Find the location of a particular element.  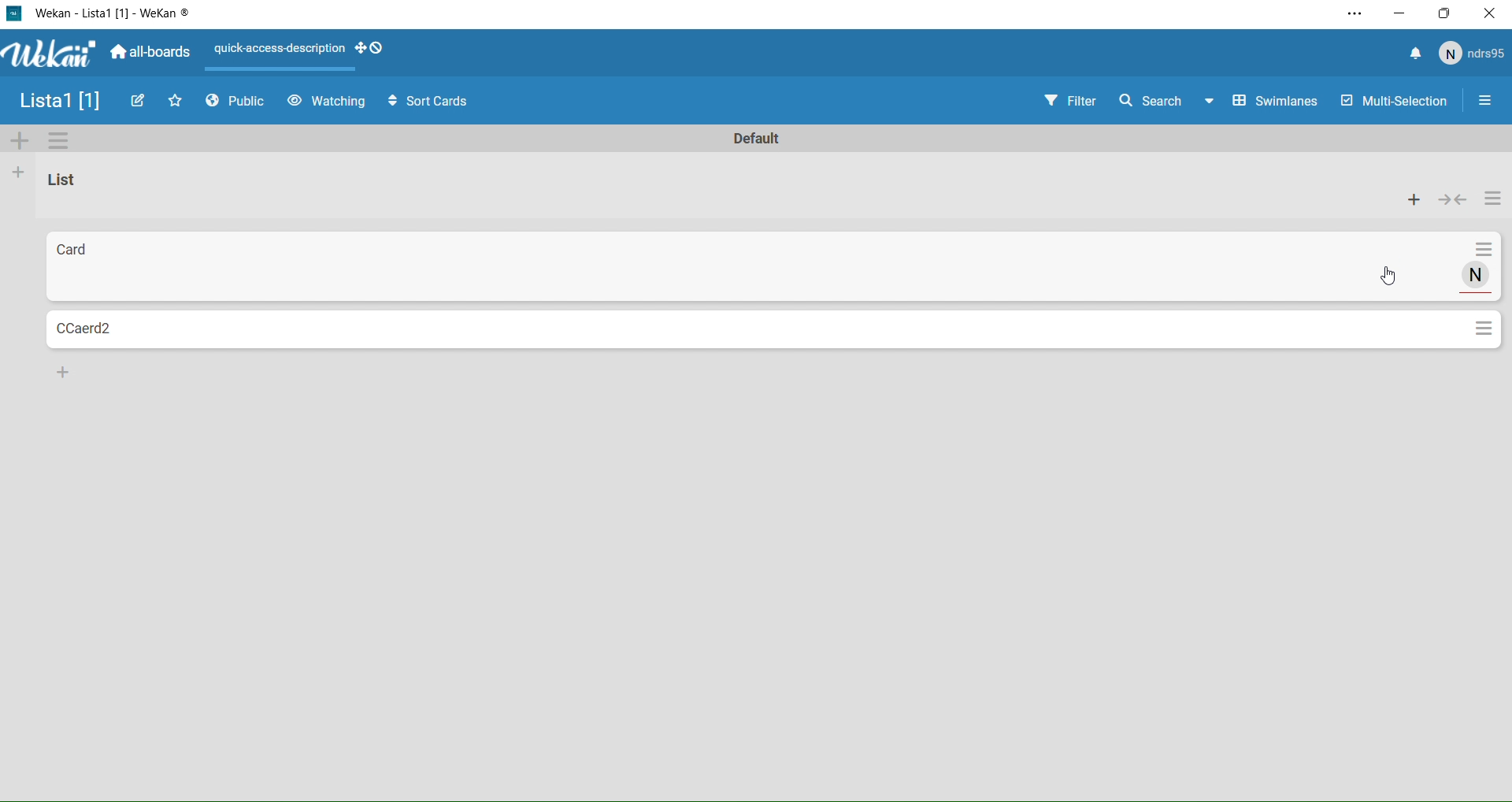

Layout Actions is located at coordinates (275, 54).